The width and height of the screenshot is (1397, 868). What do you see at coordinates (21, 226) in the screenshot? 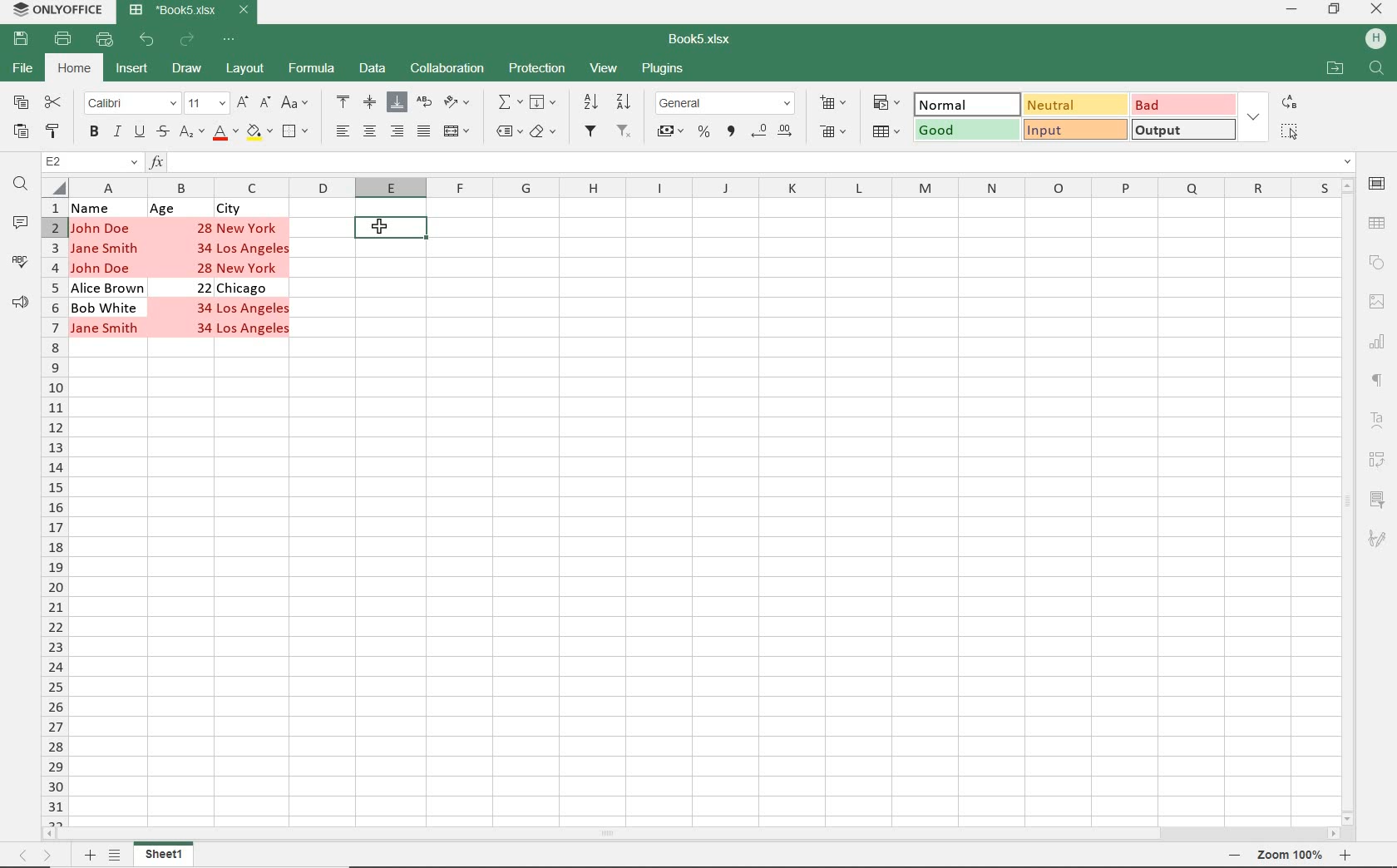
I see `COMMENTS` at bounding box center [21, 226].